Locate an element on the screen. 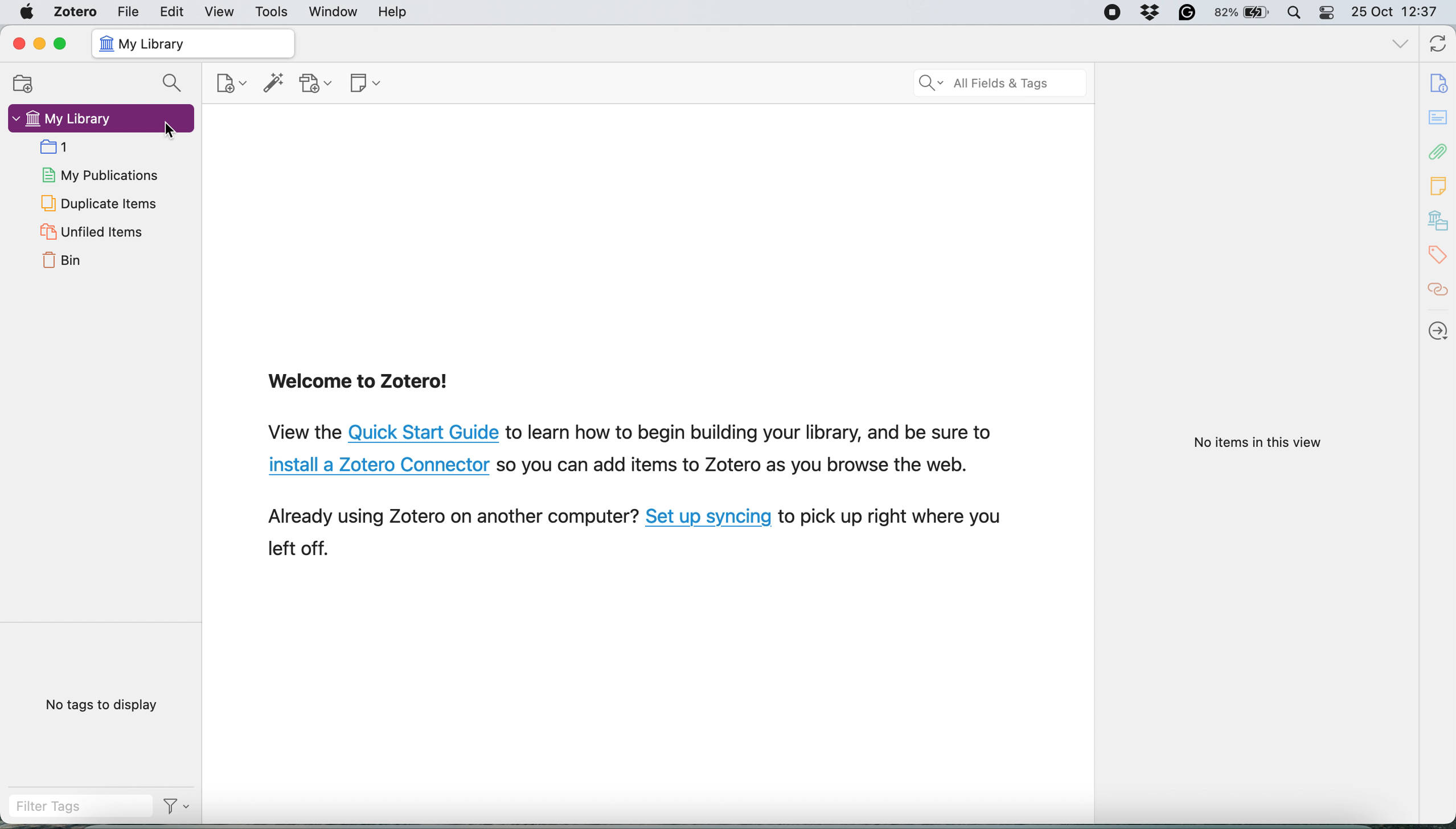 This screenshot has width=1456, height=829. my library is located at coordinates (1439, 219).